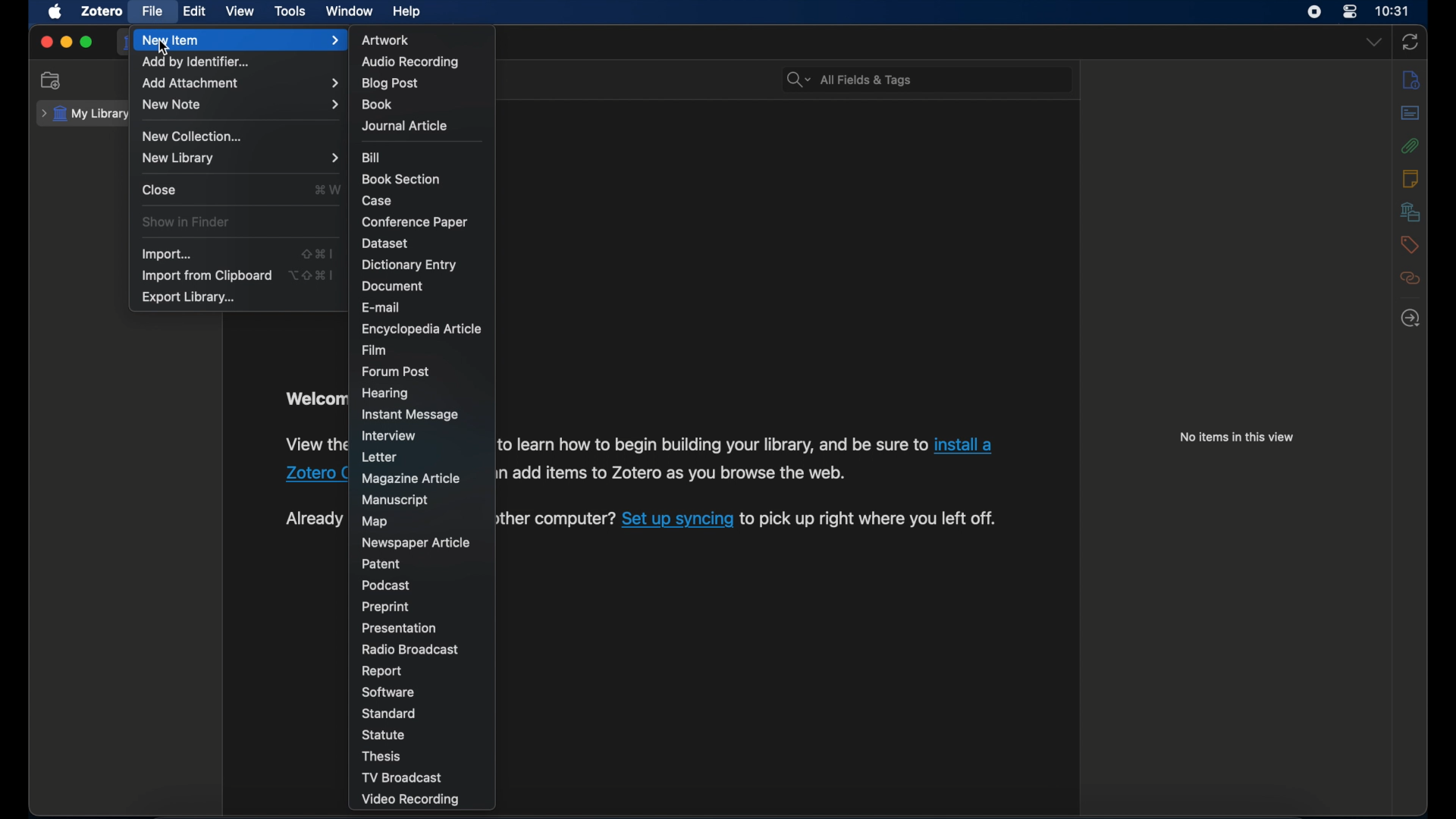 This screenshot has width=1456, height=819. What do you see at coordinates (313, 519) in the screenshot?
I see `obscure text` at bounding box center [313, 519].